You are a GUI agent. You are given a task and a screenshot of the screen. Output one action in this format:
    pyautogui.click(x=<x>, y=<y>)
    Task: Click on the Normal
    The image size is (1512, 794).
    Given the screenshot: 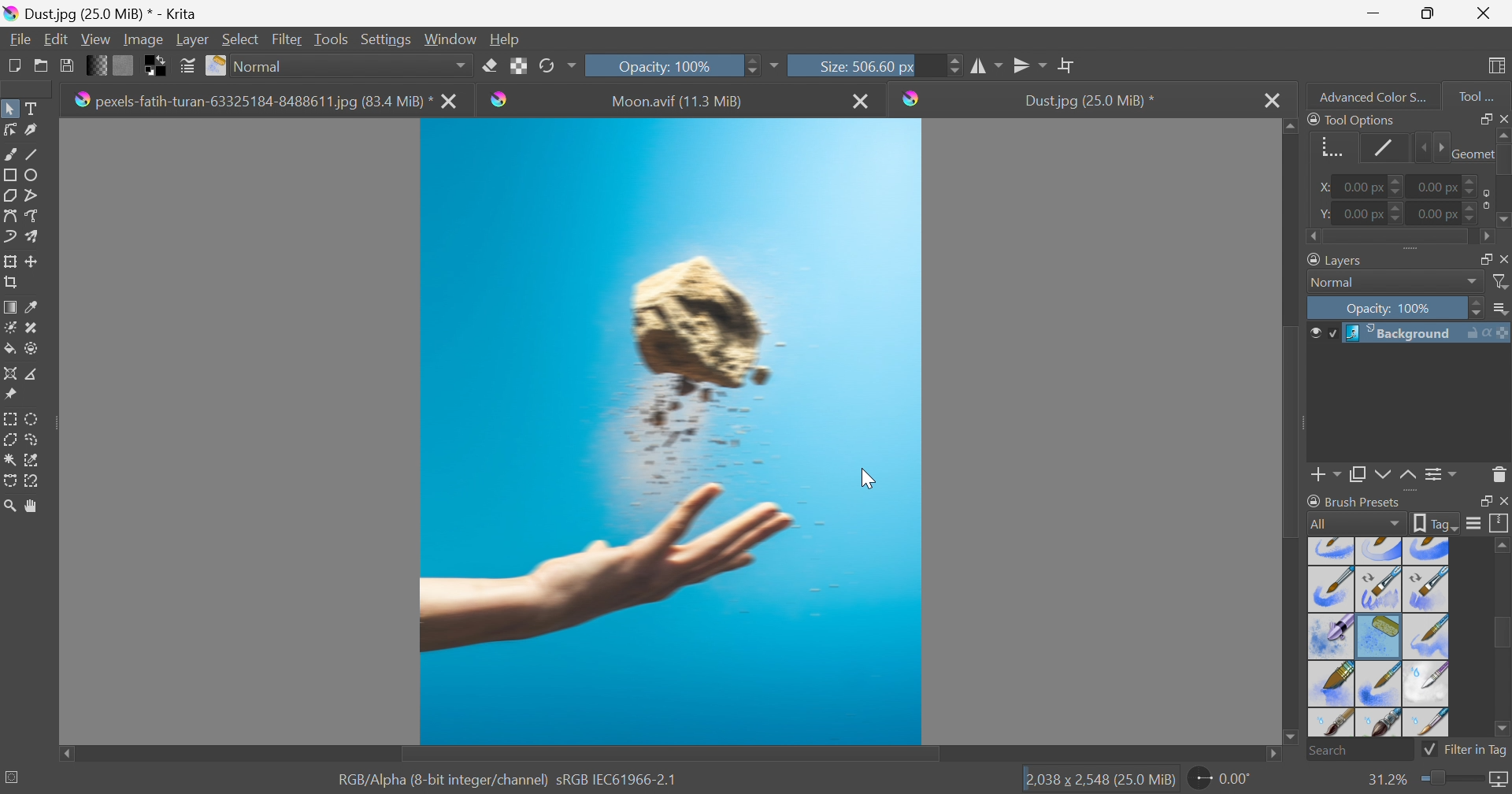 What is the action you would take?
    pyautogui.click(x=352, y=65)
    